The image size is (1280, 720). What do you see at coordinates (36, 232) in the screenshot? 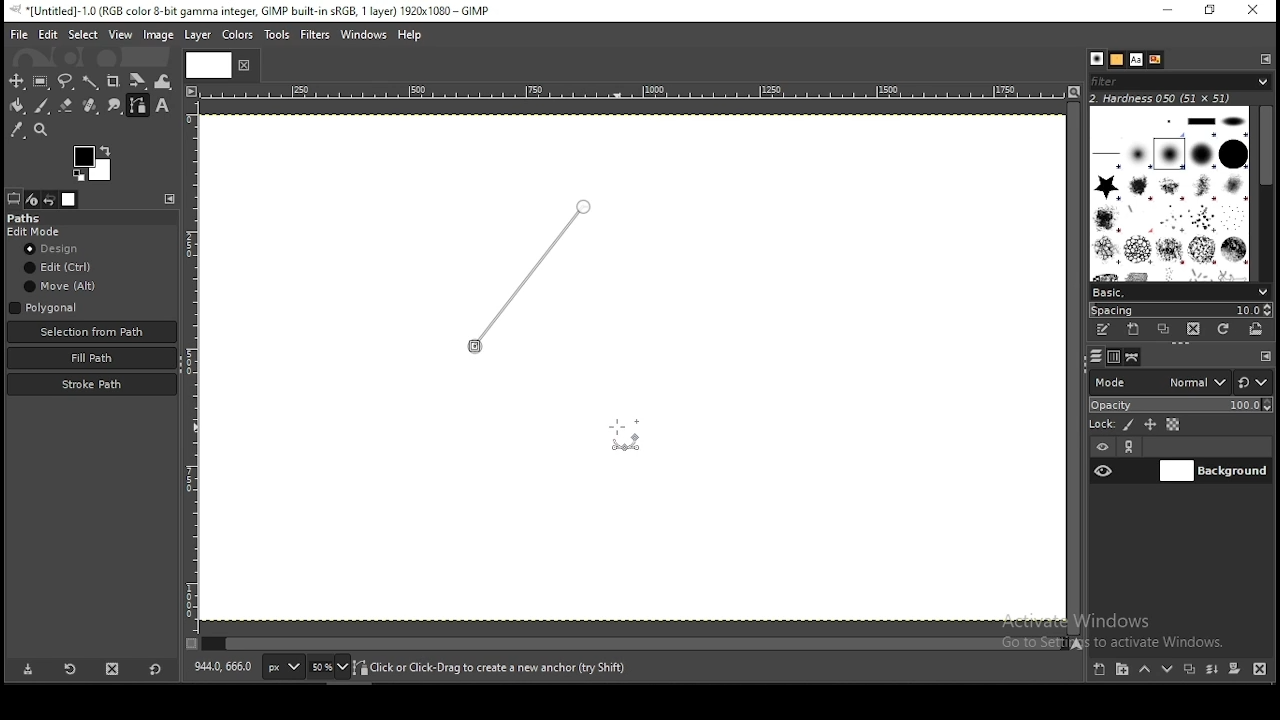
I see `edit mode` at bounding box center [36, 232].